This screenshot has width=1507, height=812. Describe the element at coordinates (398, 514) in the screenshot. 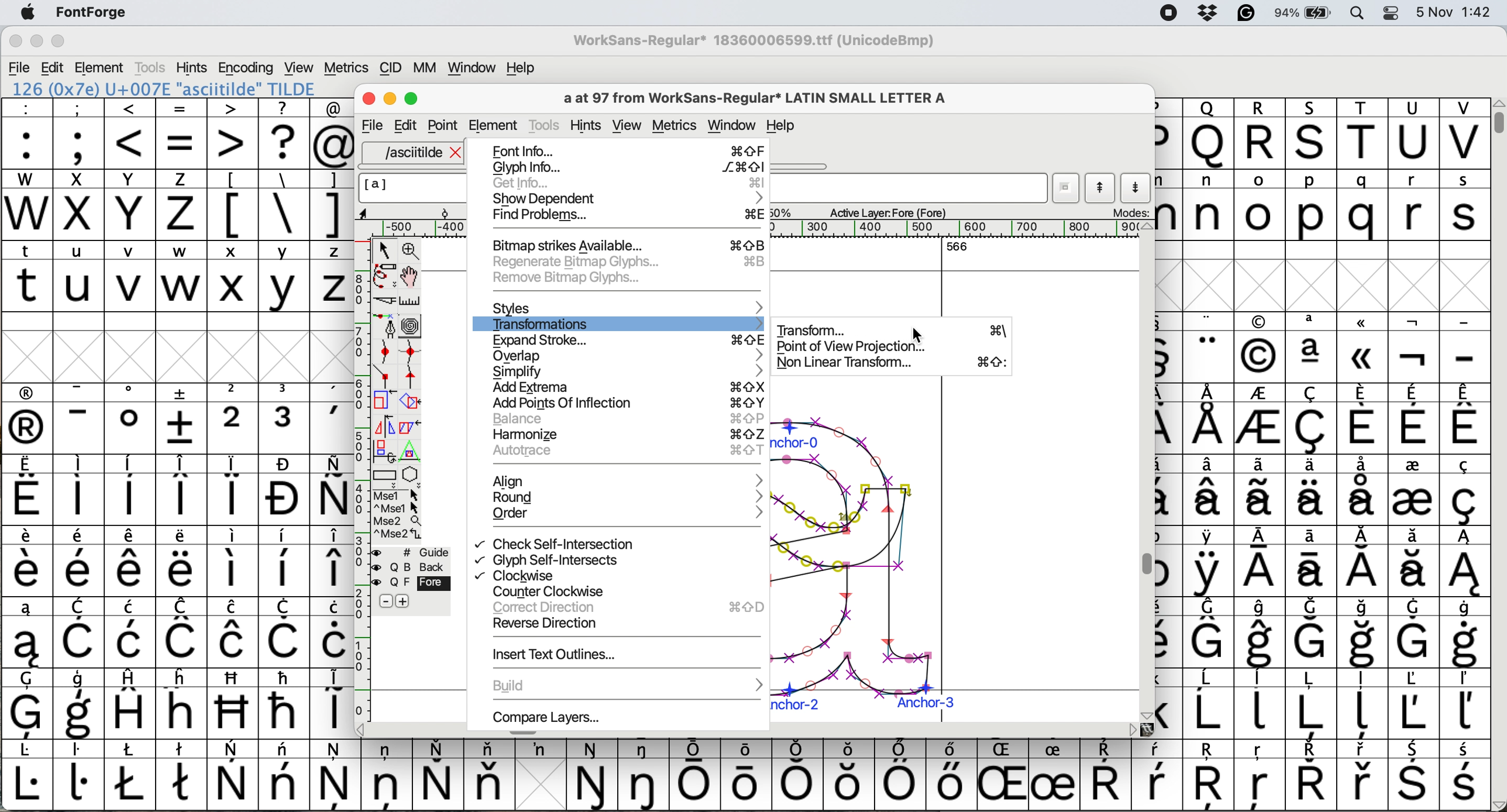

I see `more options` at that location.